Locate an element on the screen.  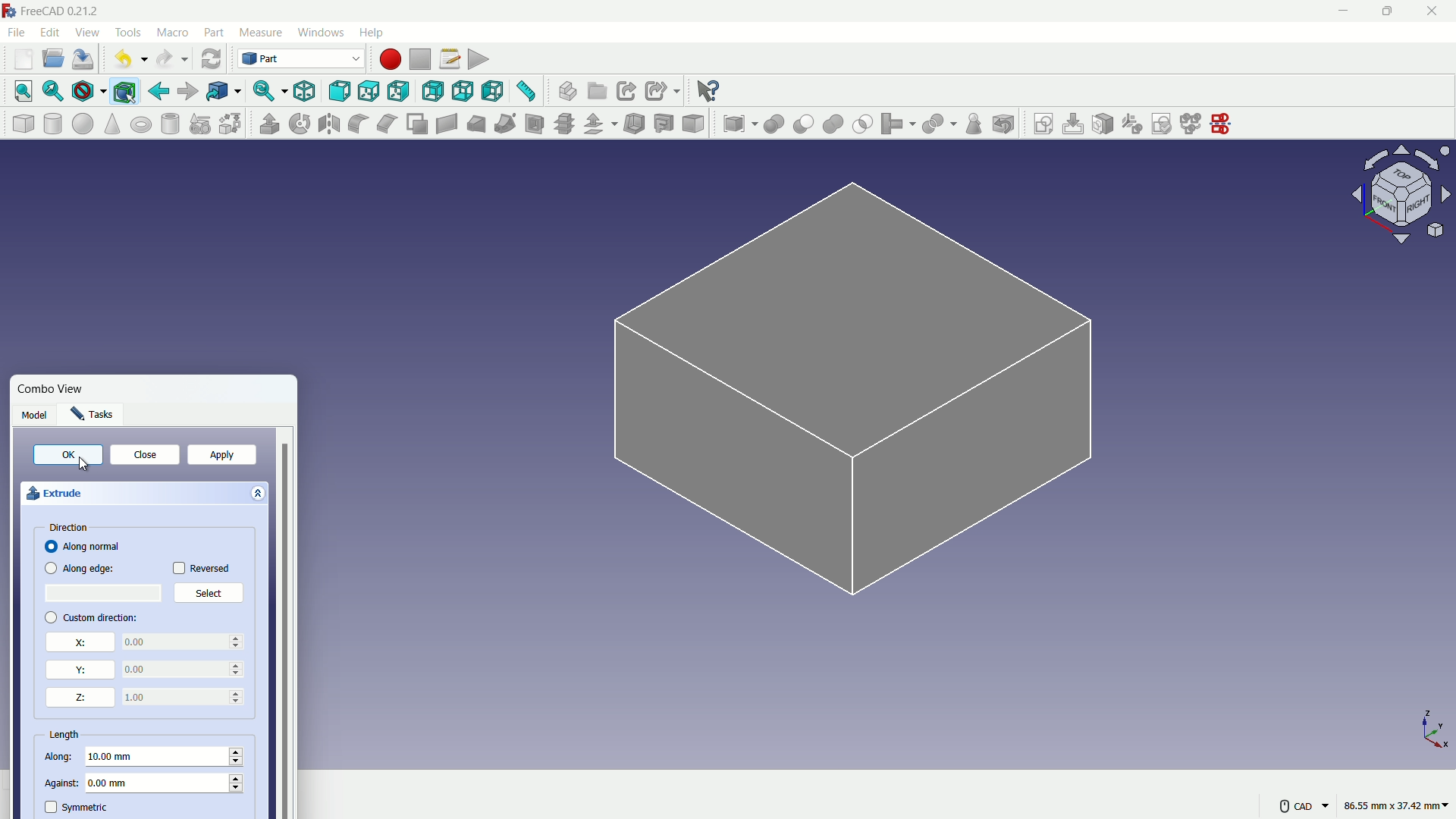
make face from wires is located at coordinates (418, 124).